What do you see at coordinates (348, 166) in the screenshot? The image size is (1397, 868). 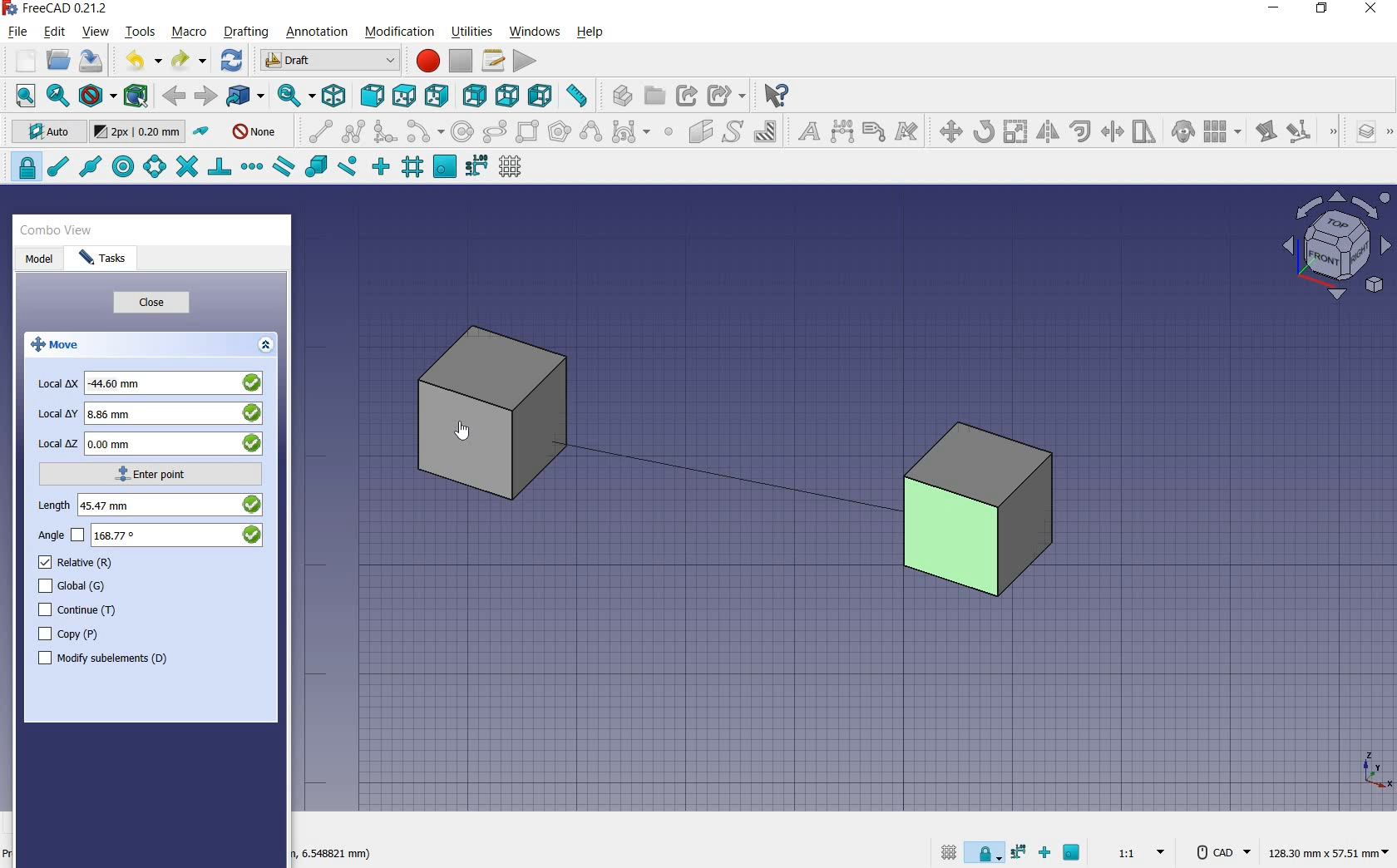 I see `snap near` at bounding box center [348, 166].